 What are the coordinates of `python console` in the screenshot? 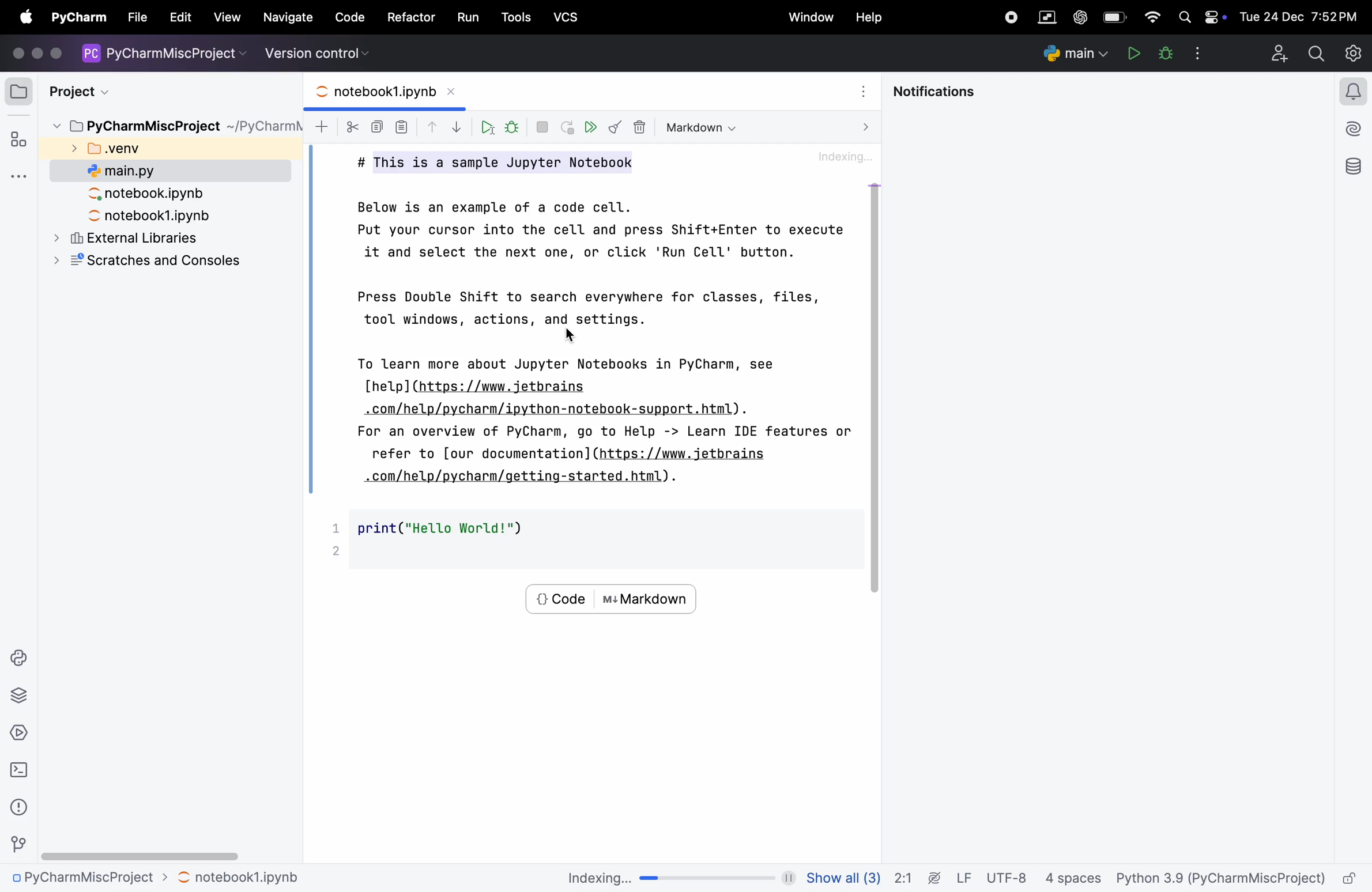 It's located at (20, 657).